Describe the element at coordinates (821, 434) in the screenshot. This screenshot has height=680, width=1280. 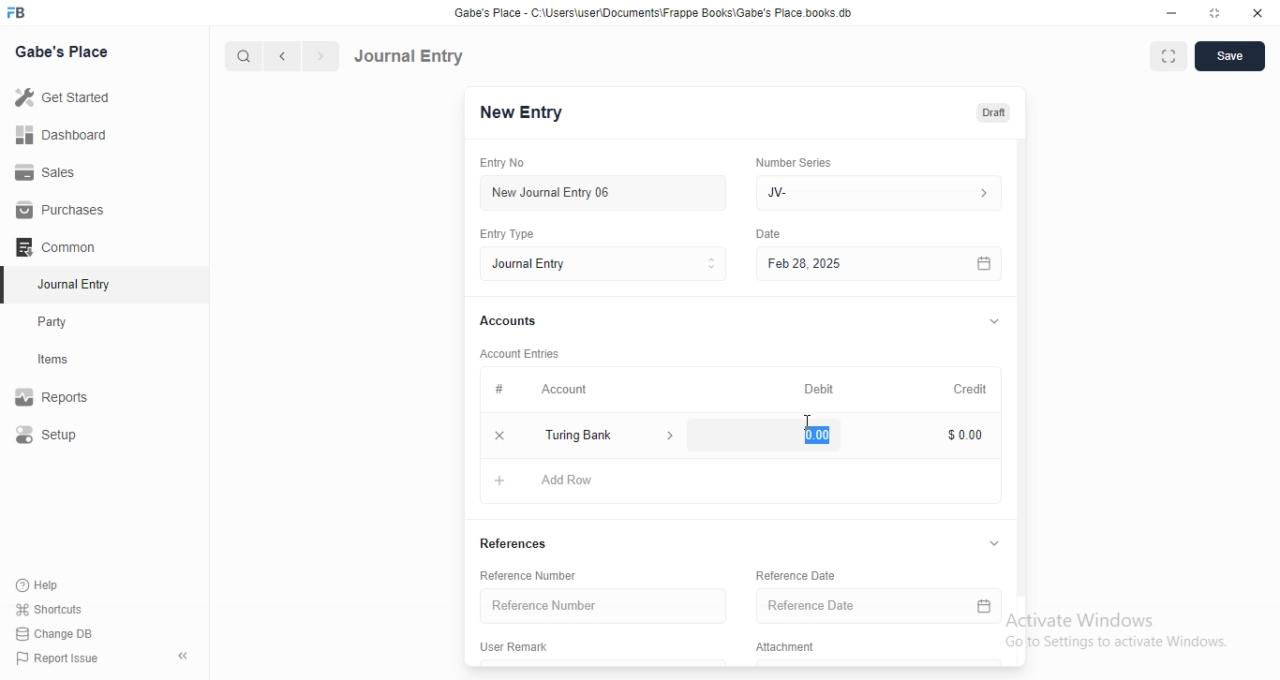
I see `$0.00` at that location.